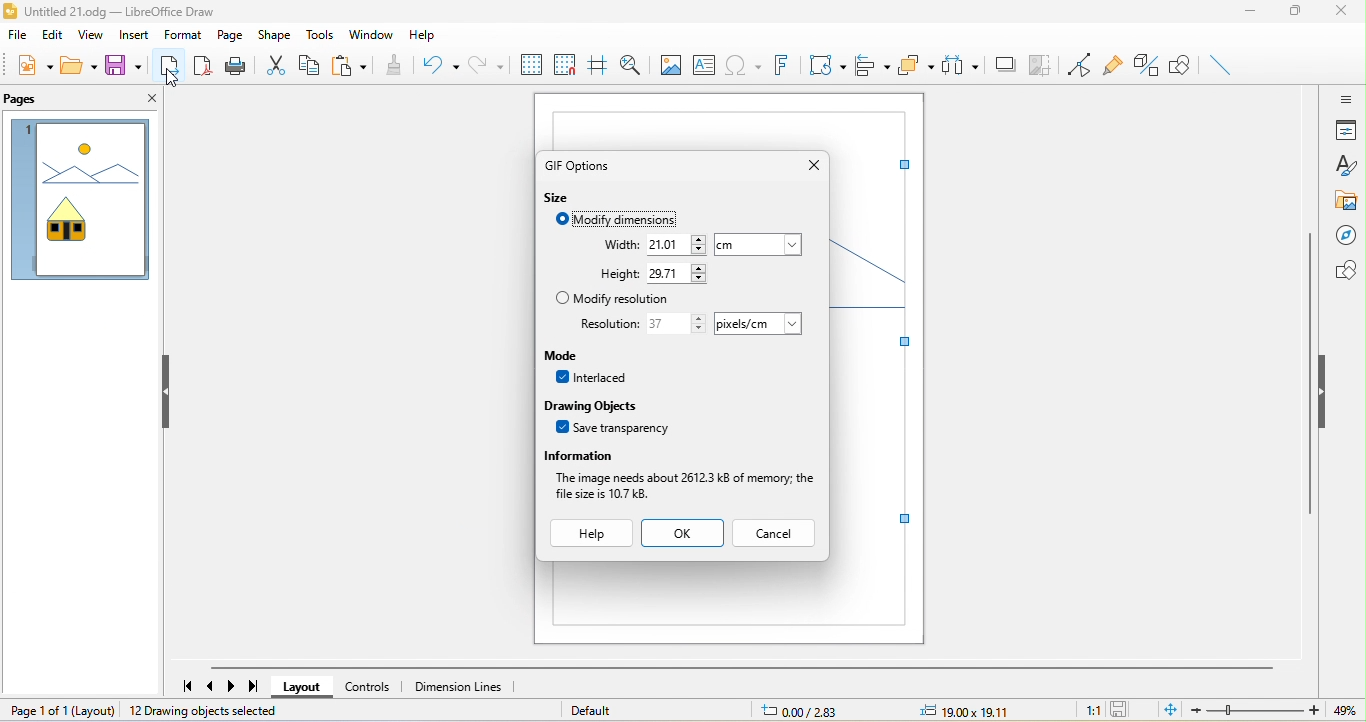  What do you see at coordinates (622, 221) in the screenshot?
I see `modify dimensions` at bounding box center [622, 221].